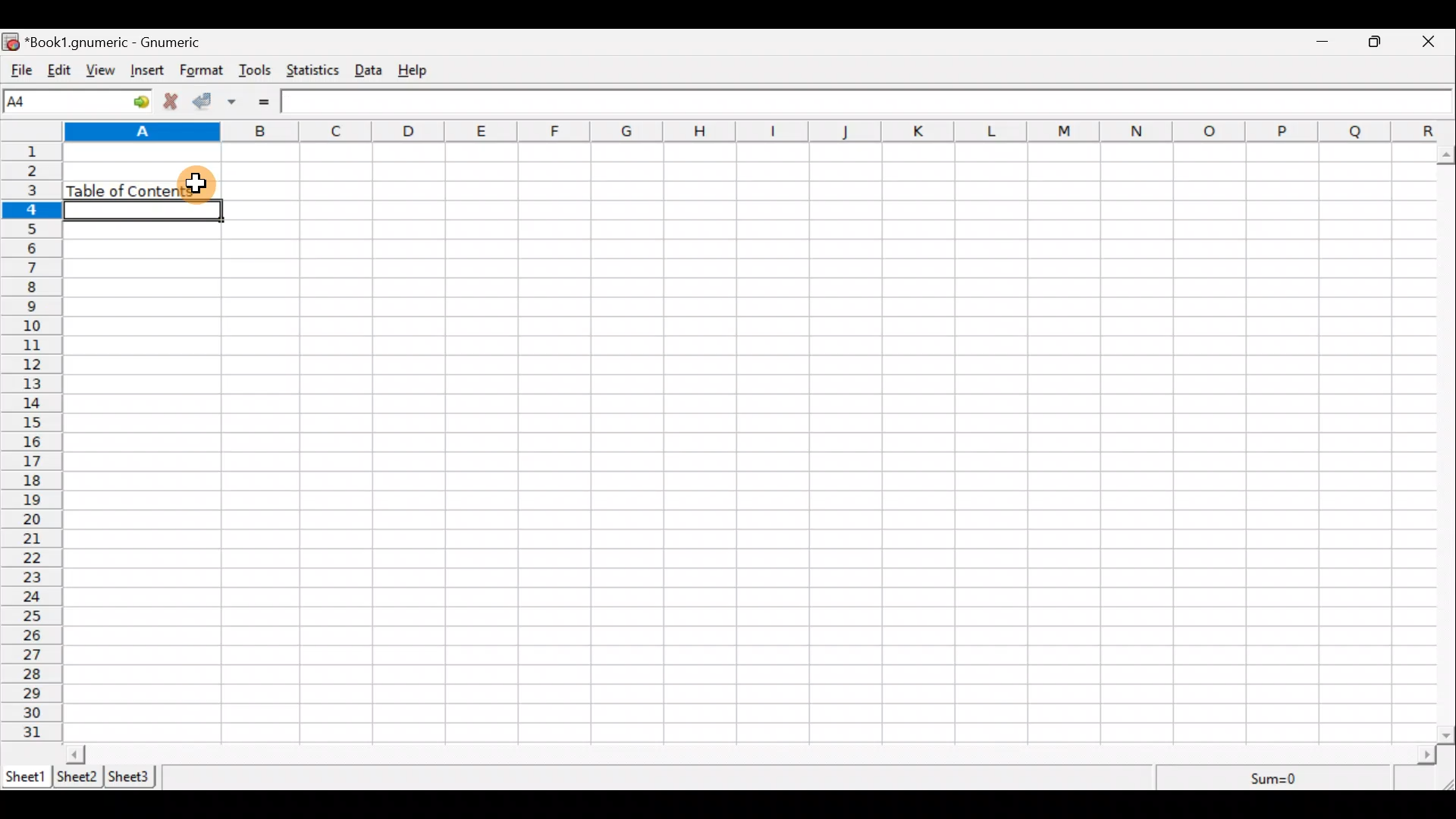  What do you see at coordinates (135, 777) in the screenshot?
I see `Sheet 3` at bounding box center [135, 777].